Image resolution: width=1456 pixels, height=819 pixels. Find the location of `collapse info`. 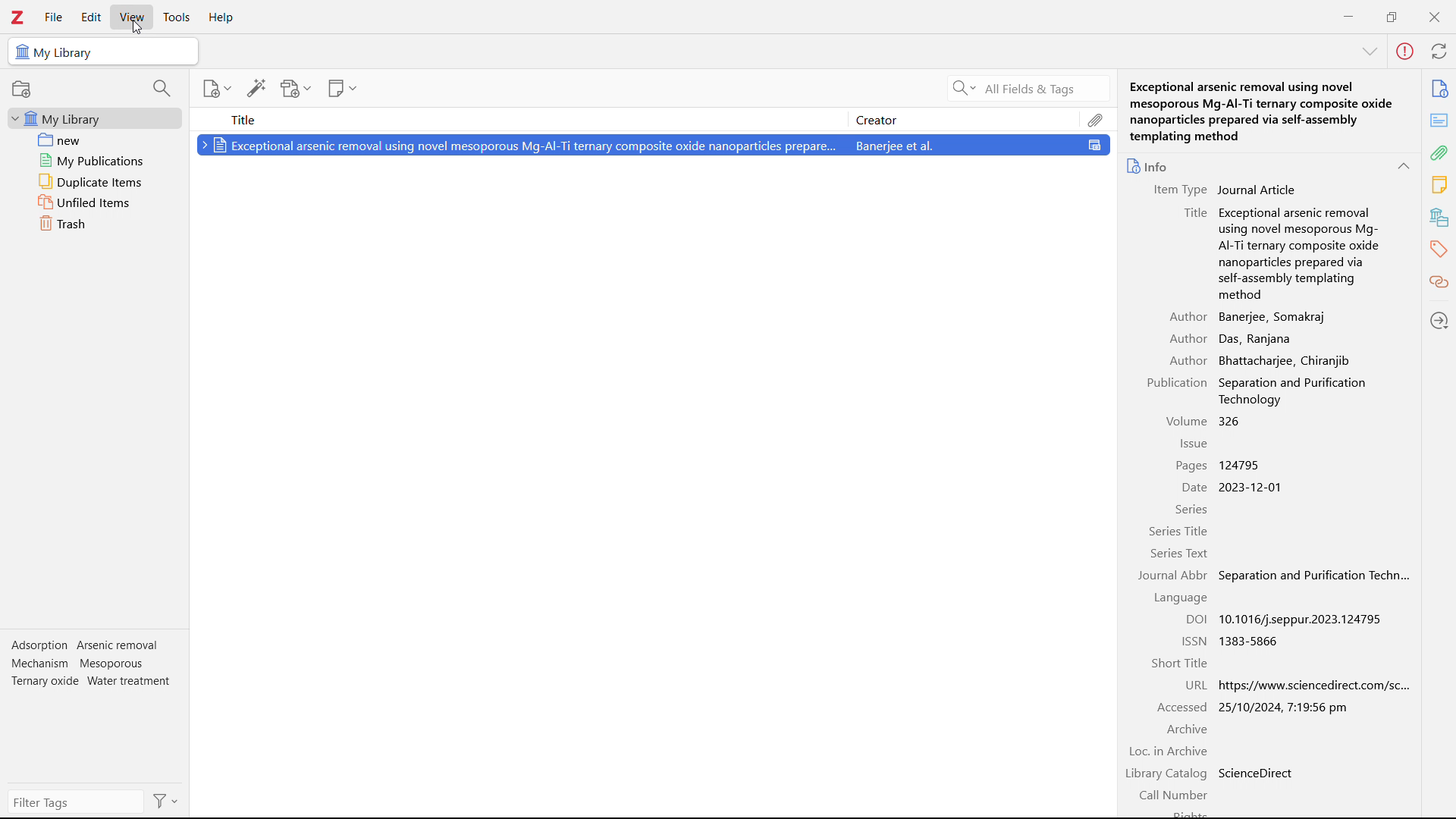

collapse info is located at coordinates (1405, 165).